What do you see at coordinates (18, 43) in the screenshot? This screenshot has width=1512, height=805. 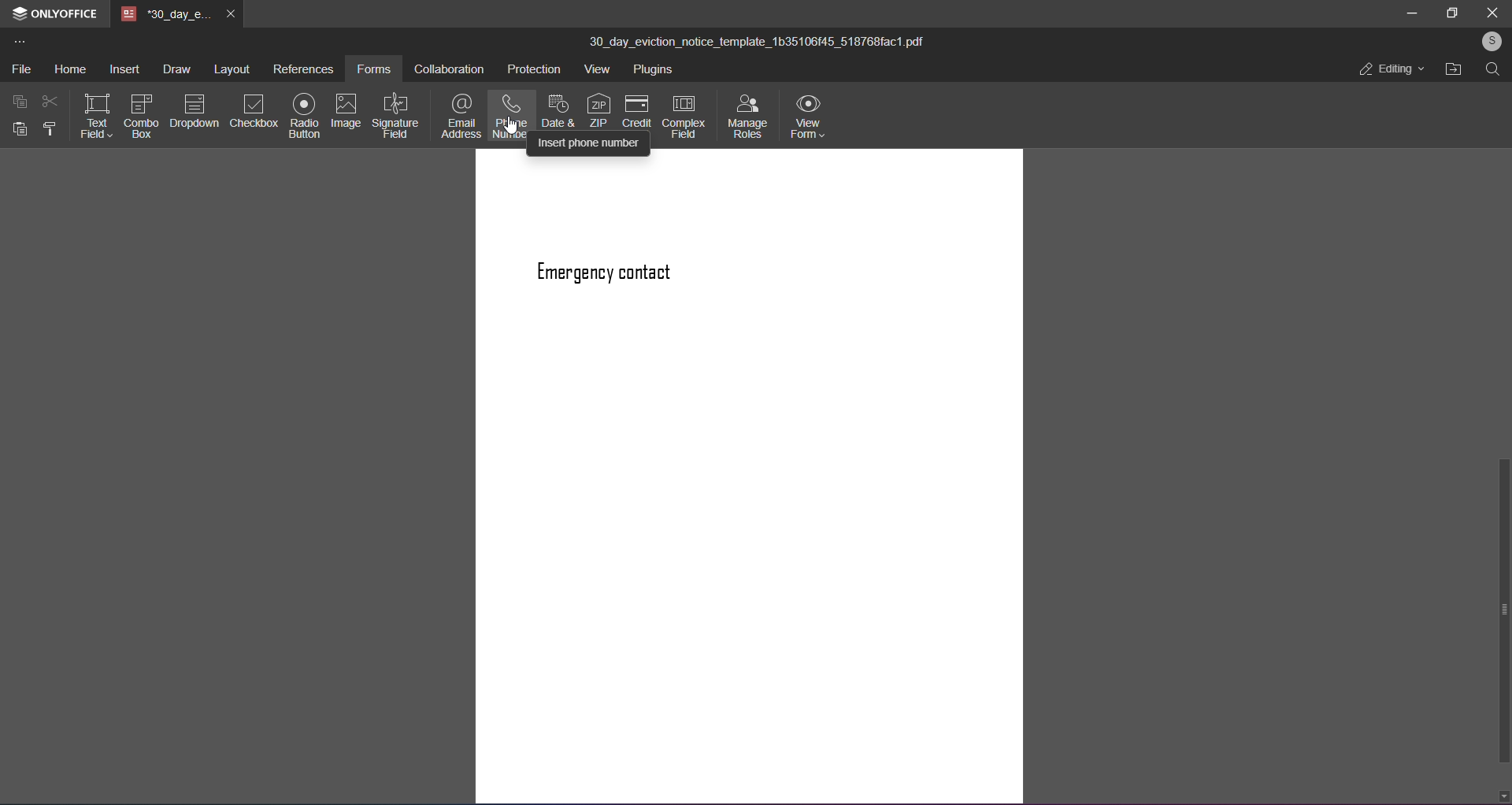 I see `more` at bounding box center [18, 43].